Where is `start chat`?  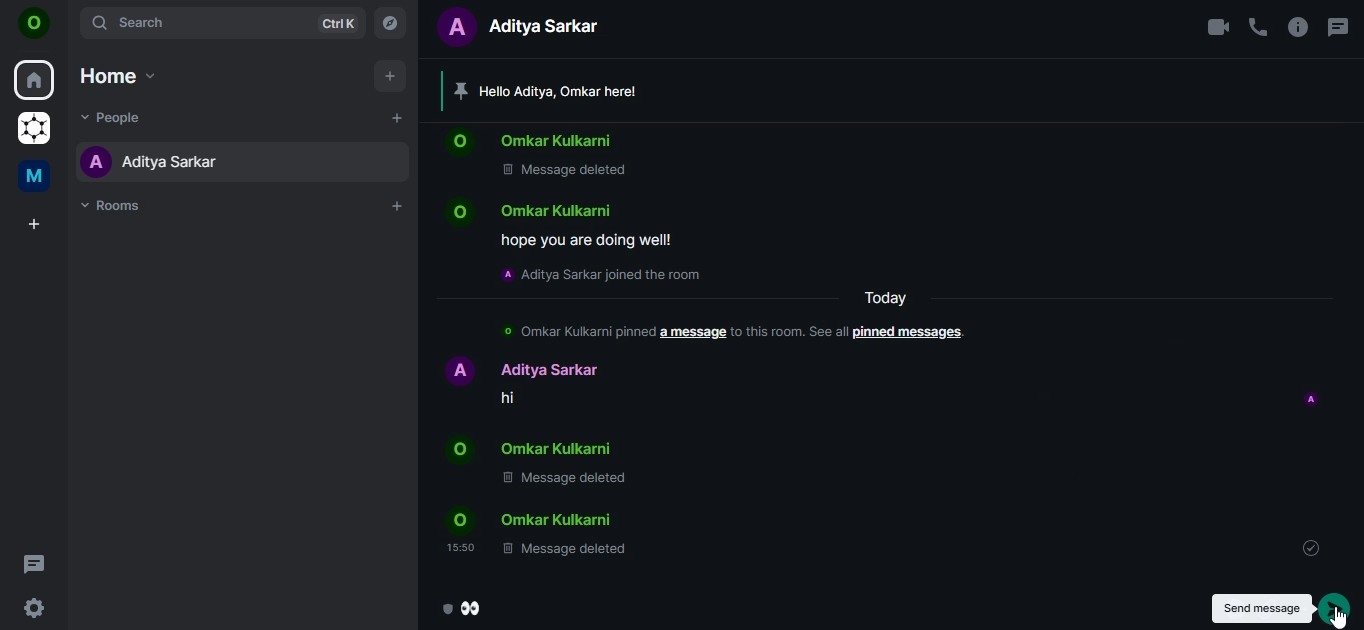 start chat is located at coordinates (396, 120).